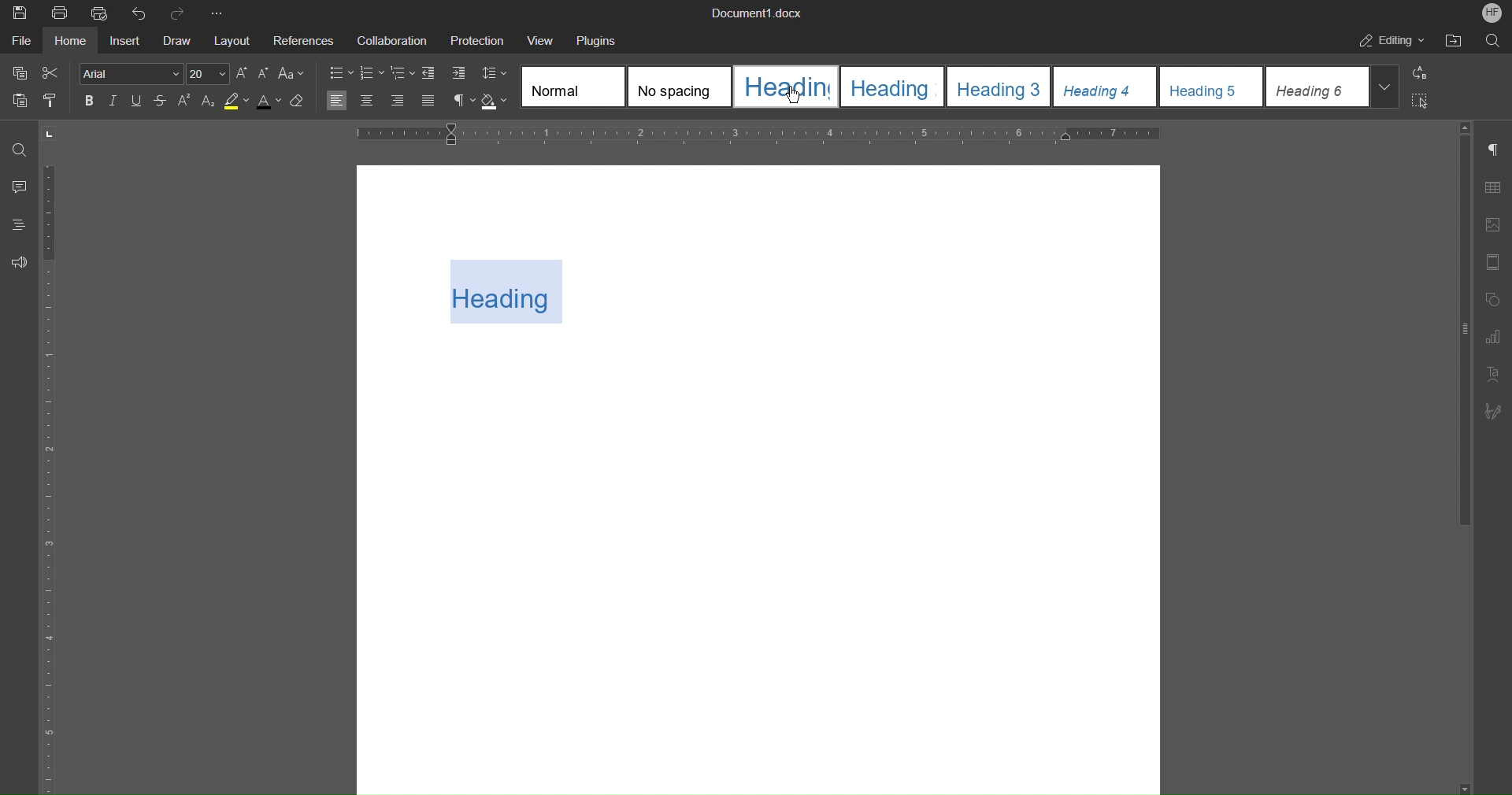 Image resolution: width=1512 pixels, height=795 pixels. Describe the element at coordinates (301, 103) in the screenshot. I see `Erase Style` at that location.